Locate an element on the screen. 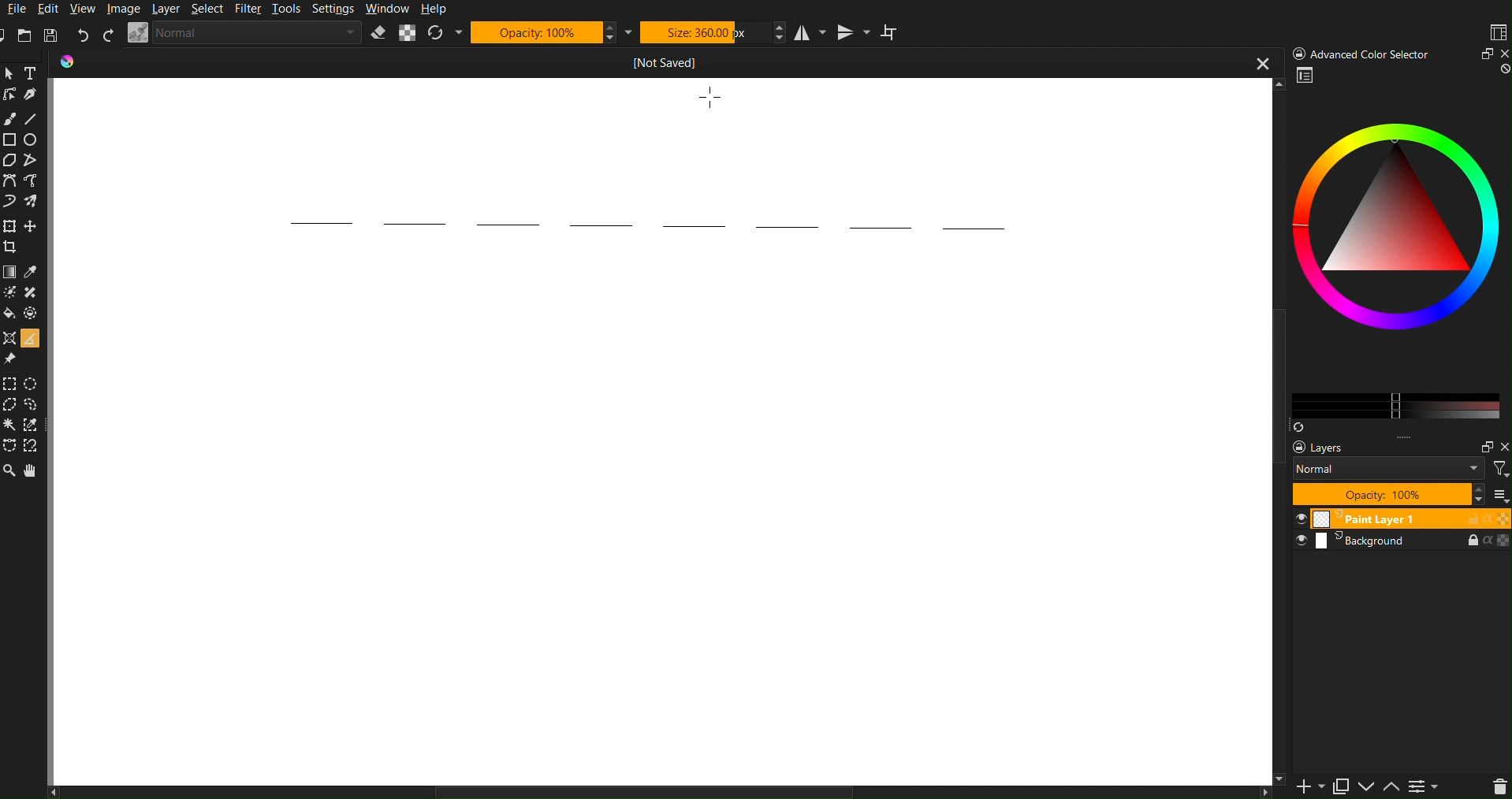  Magic Wand is located at coordinates (11, 426).